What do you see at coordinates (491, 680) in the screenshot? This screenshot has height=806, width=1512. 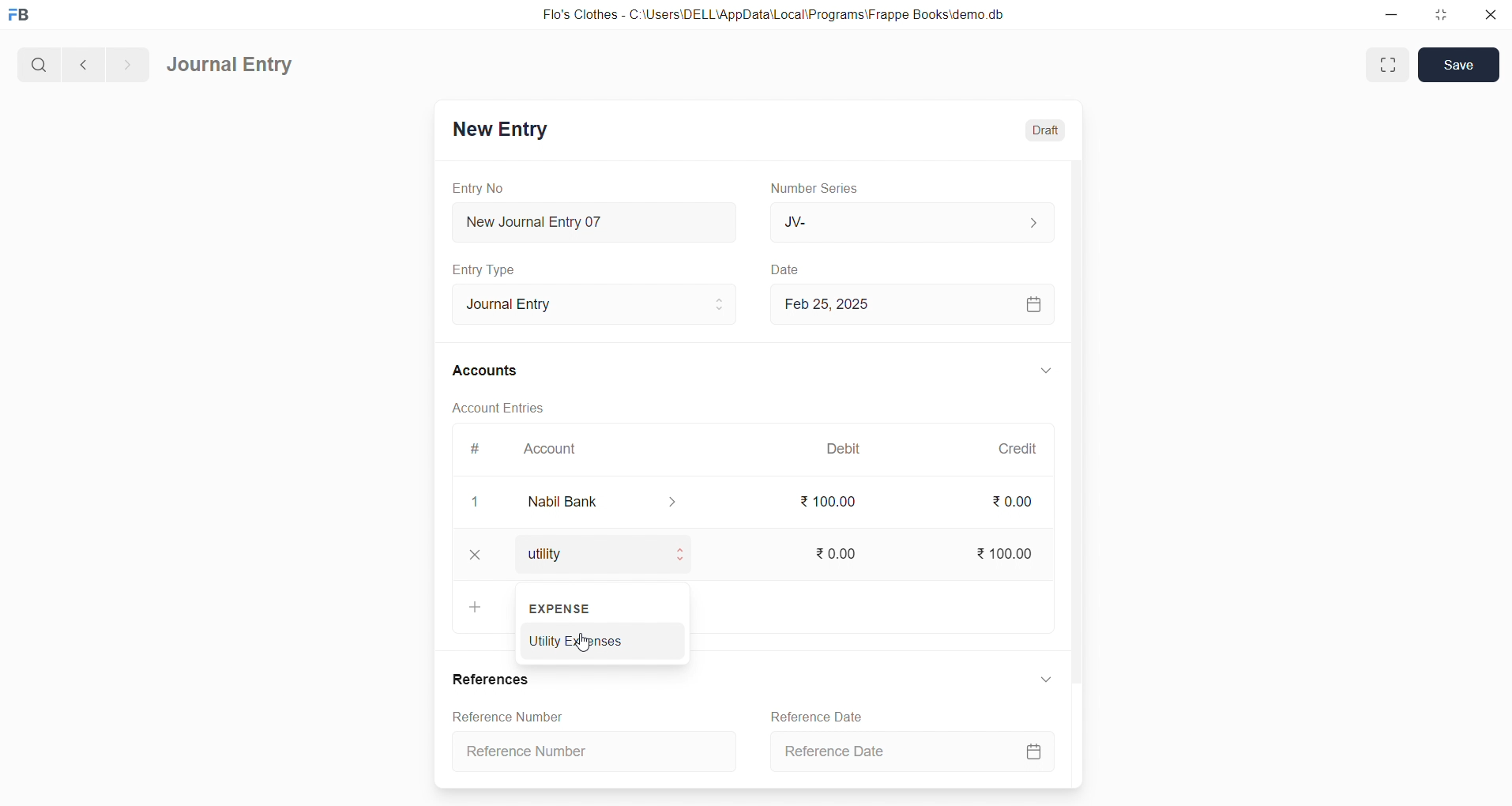 I see `References` at bounding box center [491, 680].